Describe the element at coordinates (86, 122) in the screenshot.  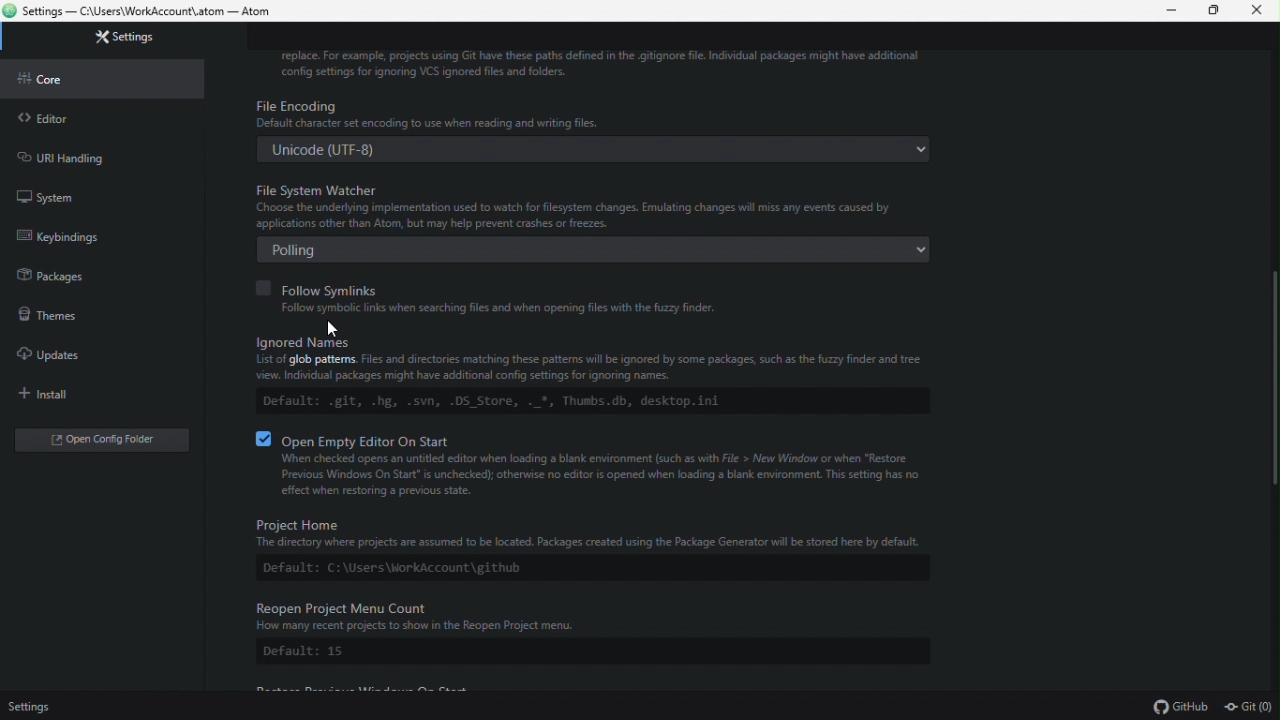
I see `editor` at that location.